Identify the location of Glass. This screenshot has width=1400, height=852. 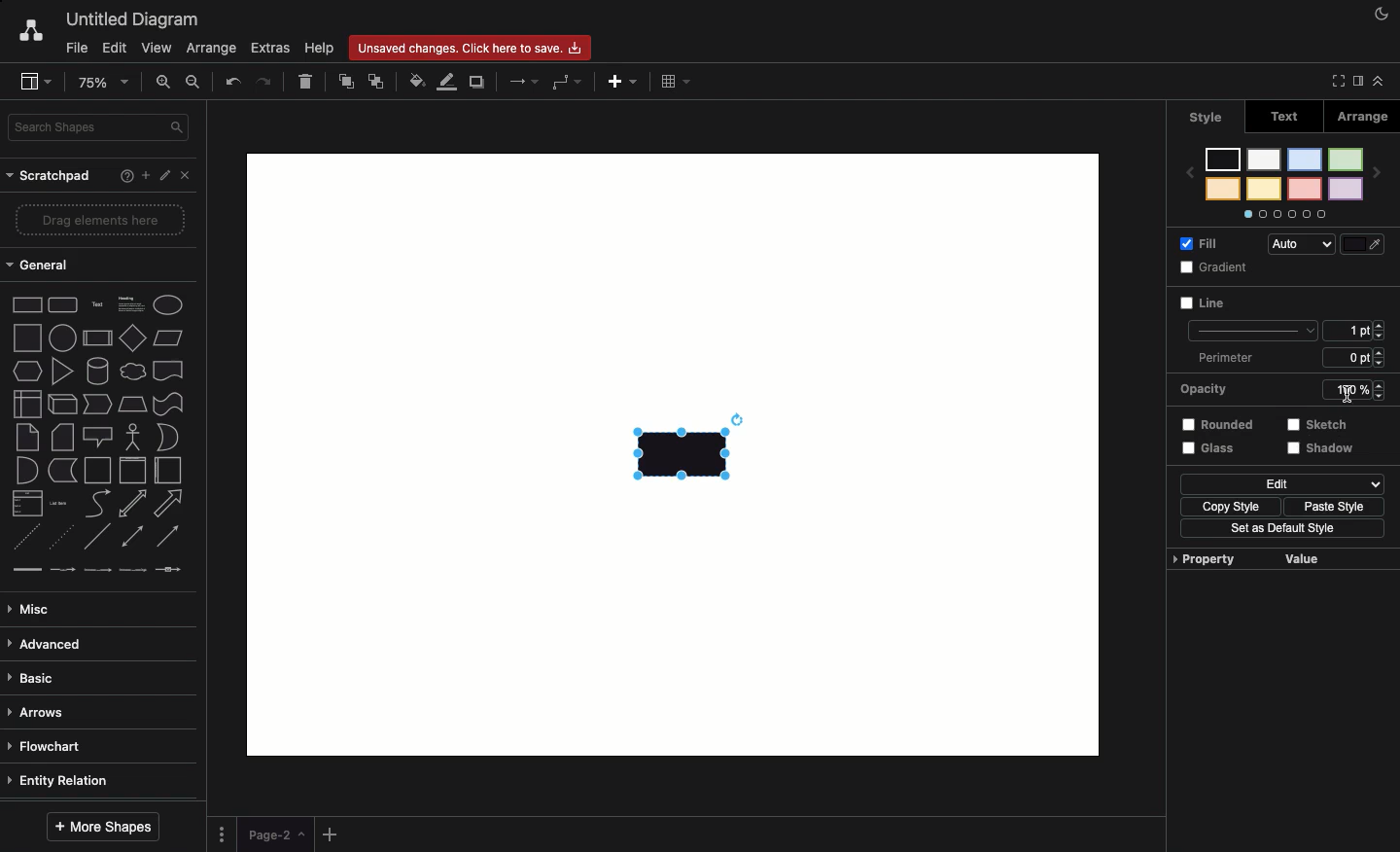
(1209, 448).